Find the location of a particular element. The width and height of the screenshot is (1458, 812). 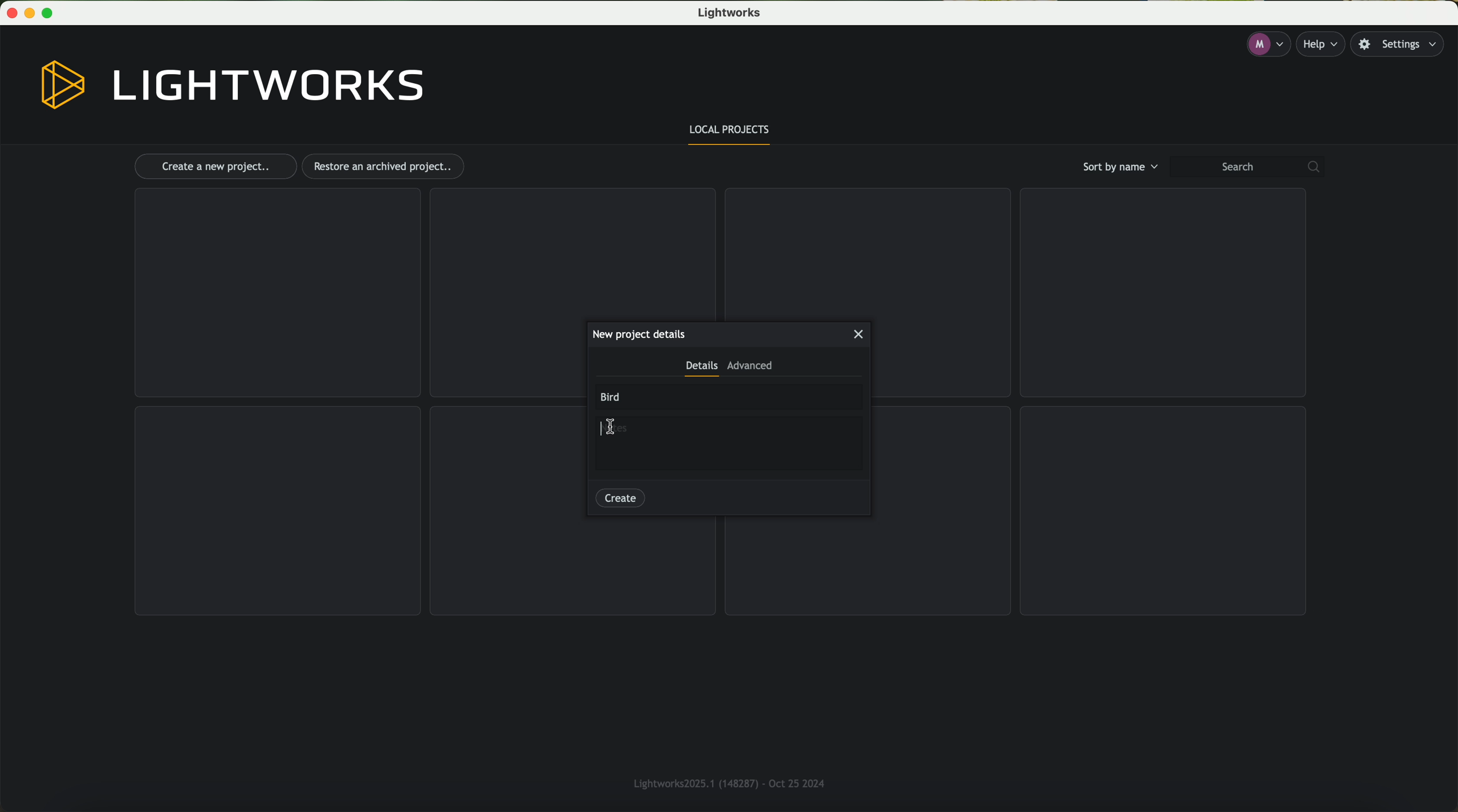

grid is located at coordinates (1160, 294).